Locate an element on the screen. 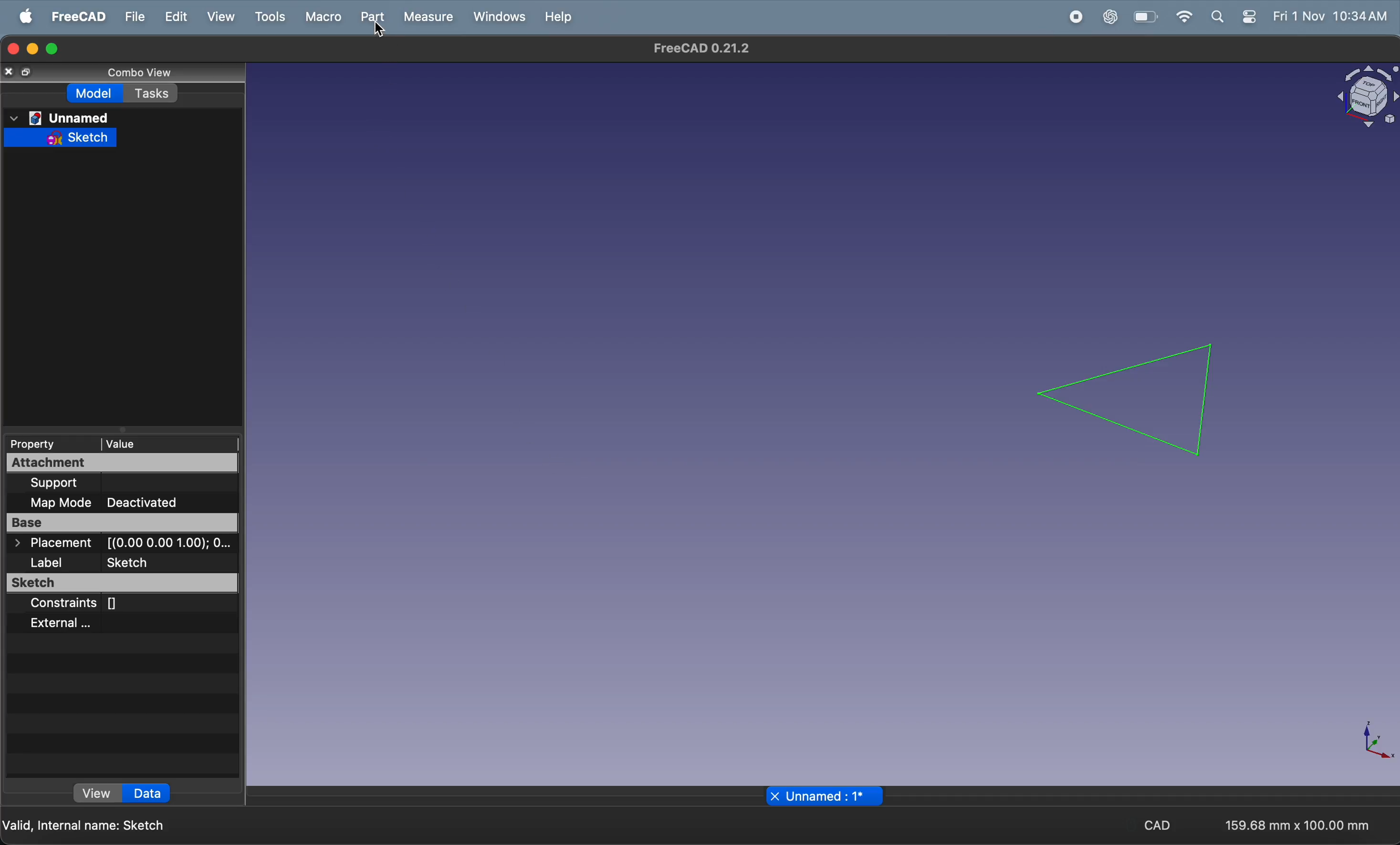  label sketch is located at coordinates (124, 564).